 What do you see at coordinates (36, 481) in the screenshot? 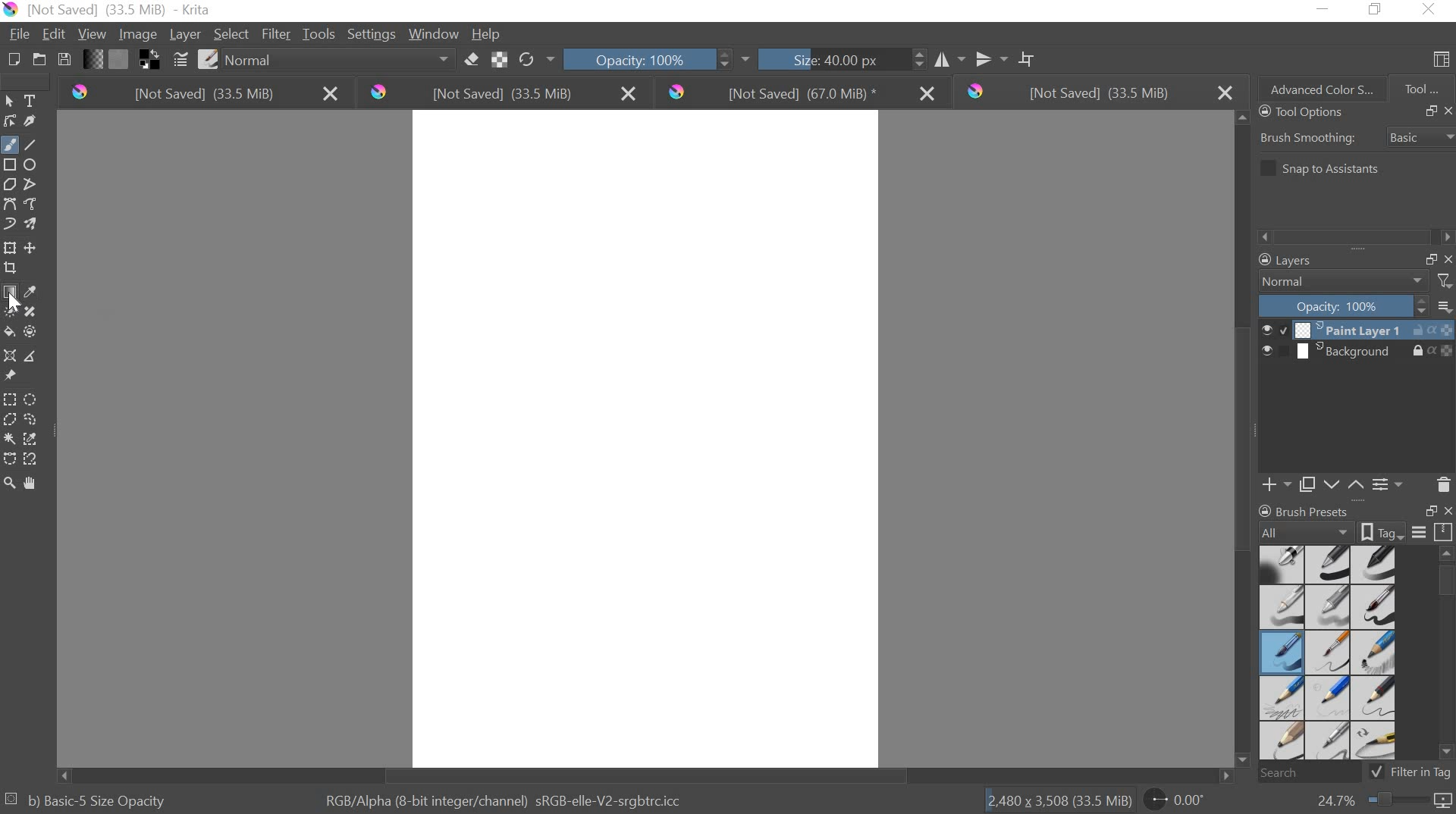
I see `pan` at bounding box center [36, 481].